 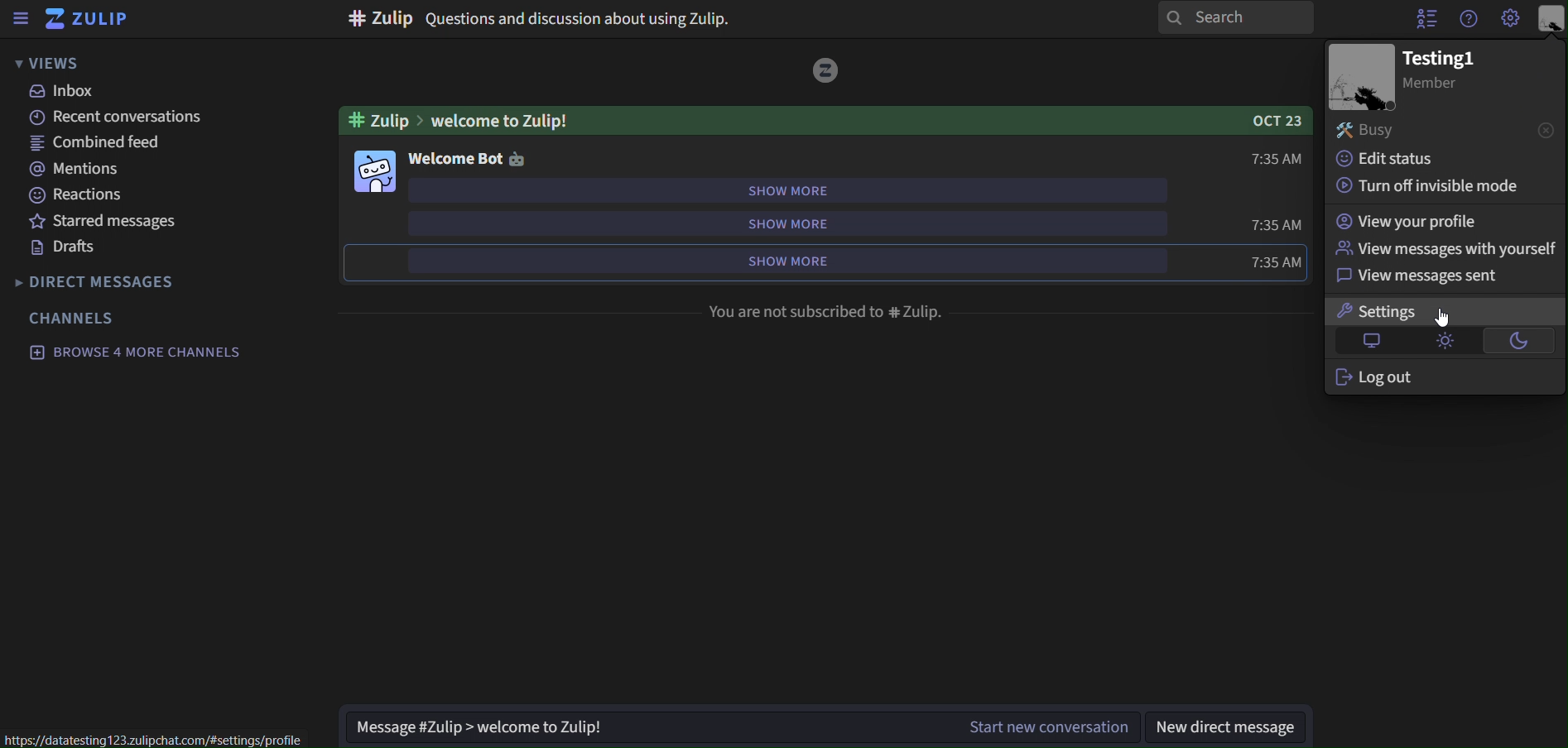 I want to click on You are not subscribed to #Zulip, so click(x=827, y=311).